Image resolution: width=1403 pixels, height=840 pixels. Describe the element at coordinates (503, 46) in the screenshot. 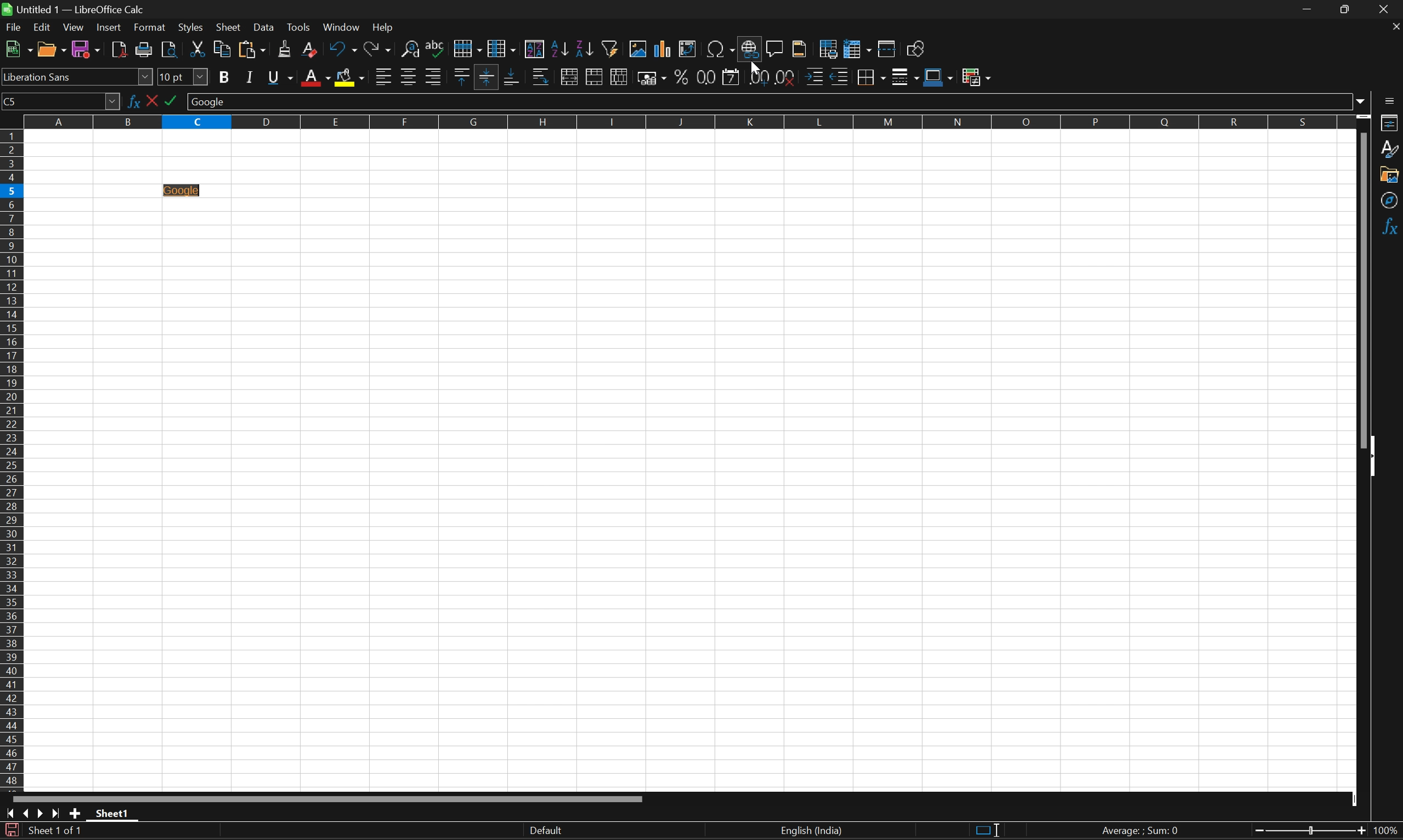

I see `Column` at that location.